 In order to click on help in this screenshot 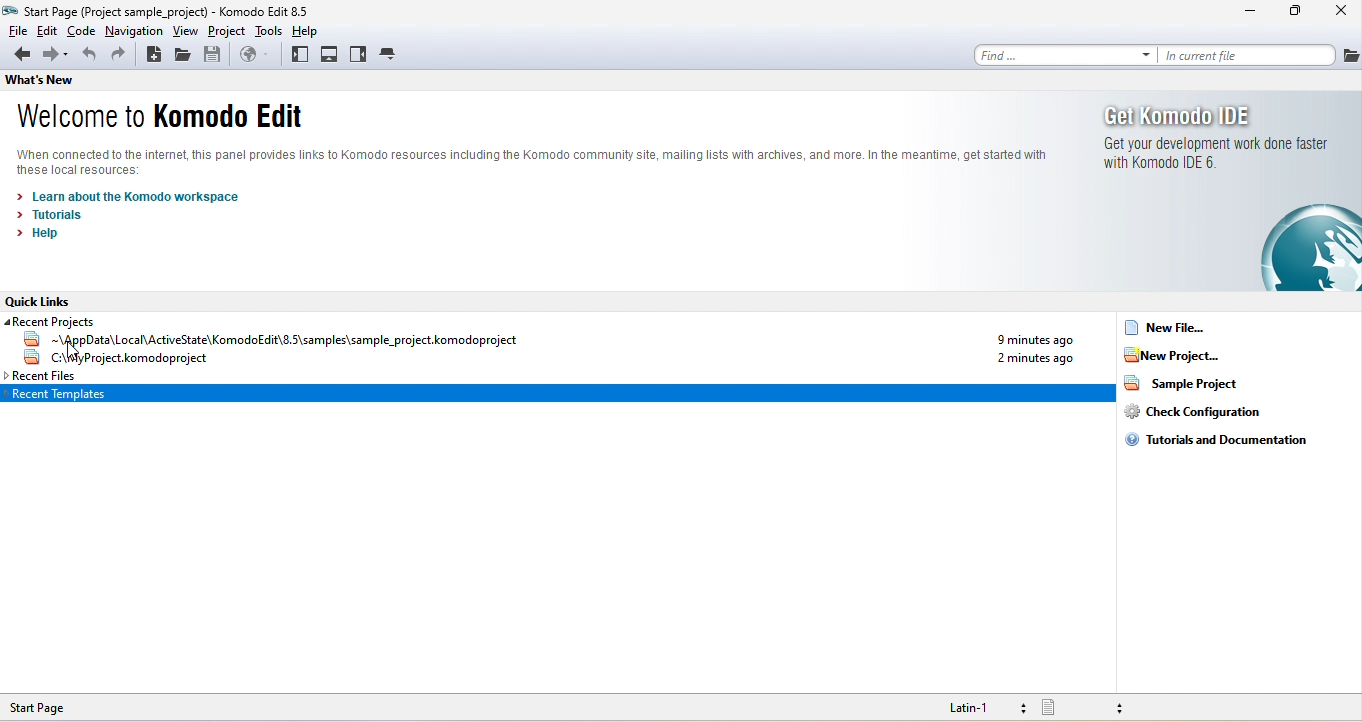, I will do `click(302, 31)`.